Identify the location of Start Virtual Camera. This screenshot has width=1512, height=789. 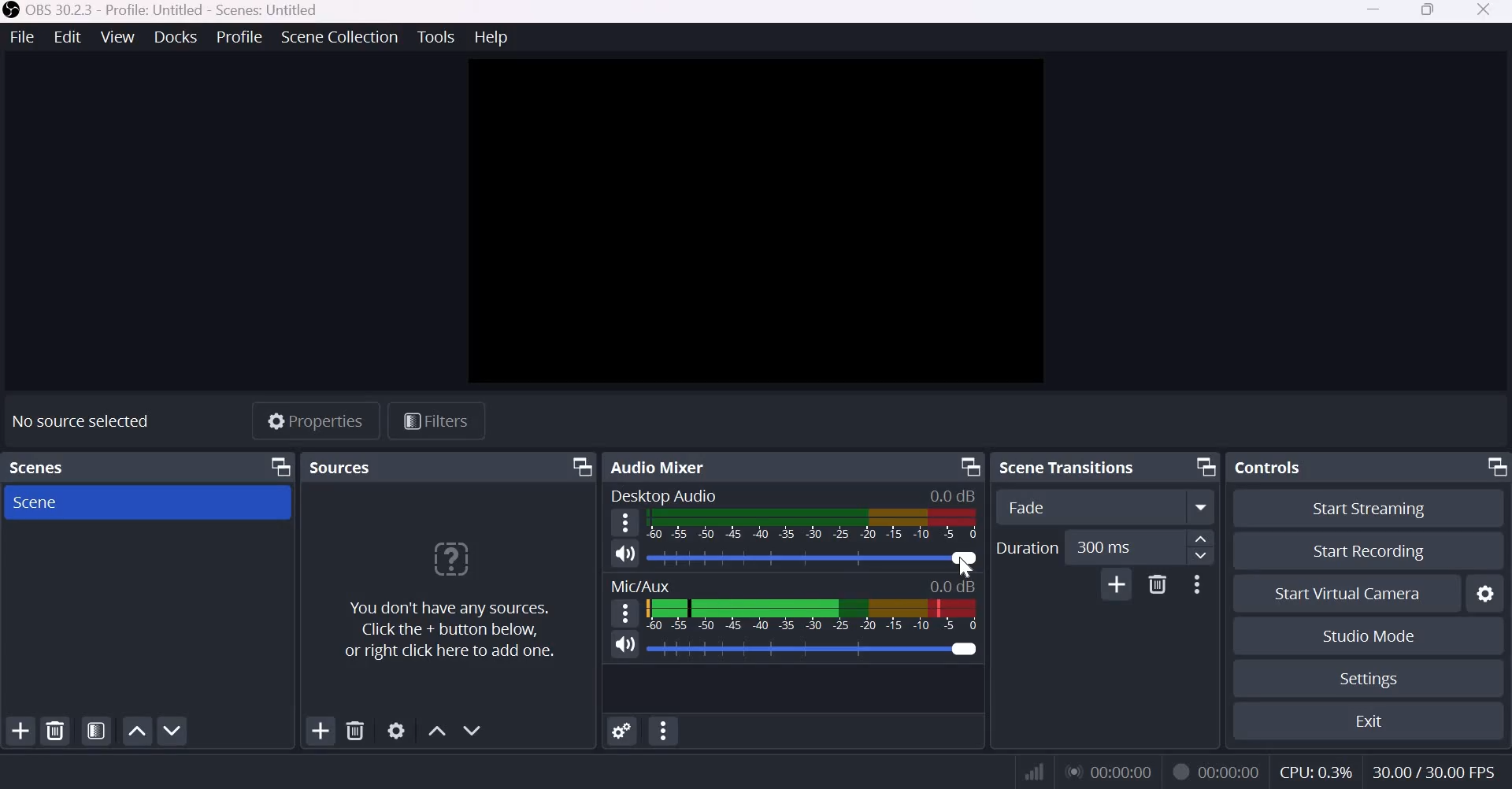
(1348, 595).